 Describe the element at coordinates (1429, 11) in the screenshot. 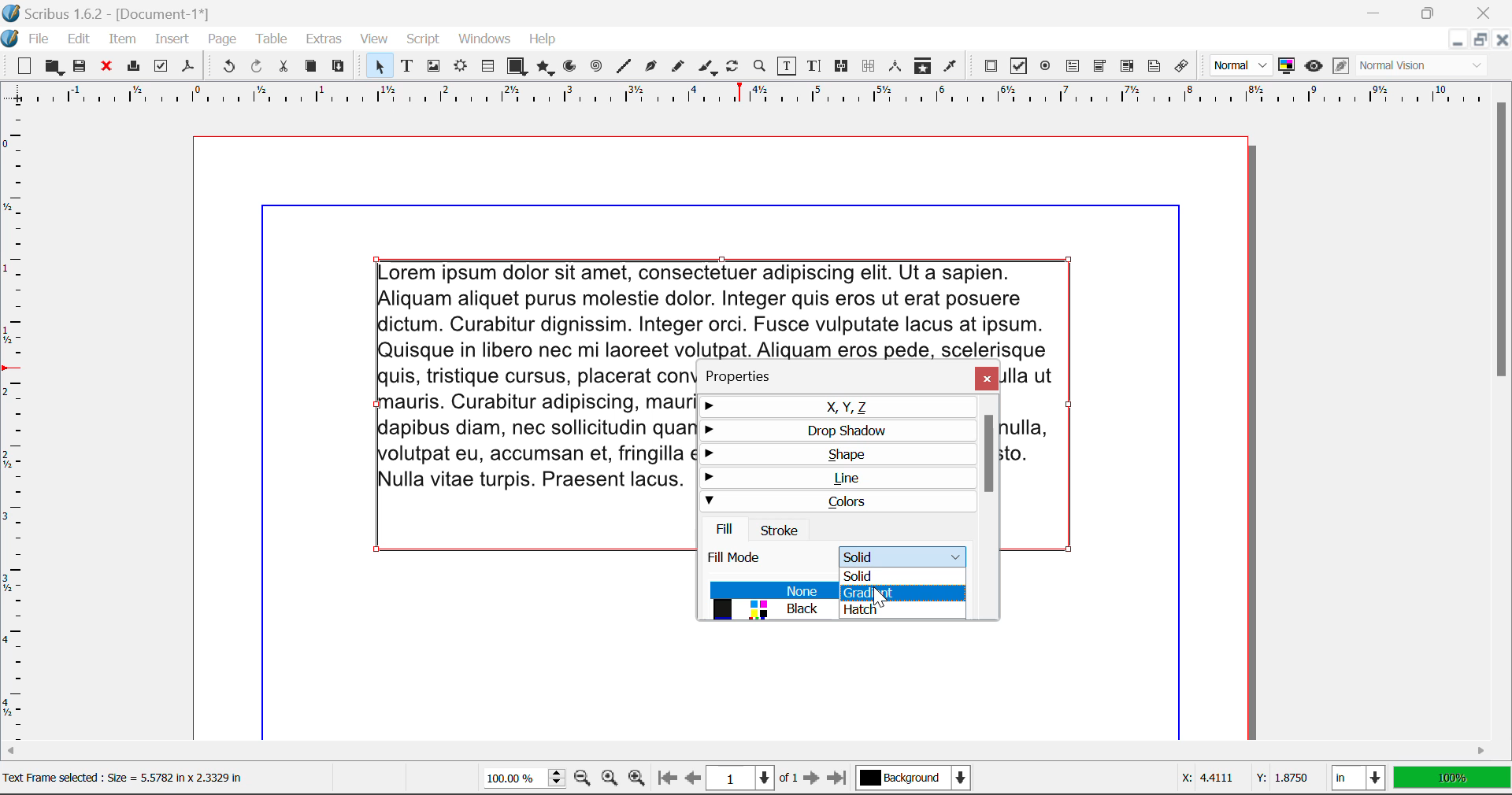

I see `Minimize` at that location.